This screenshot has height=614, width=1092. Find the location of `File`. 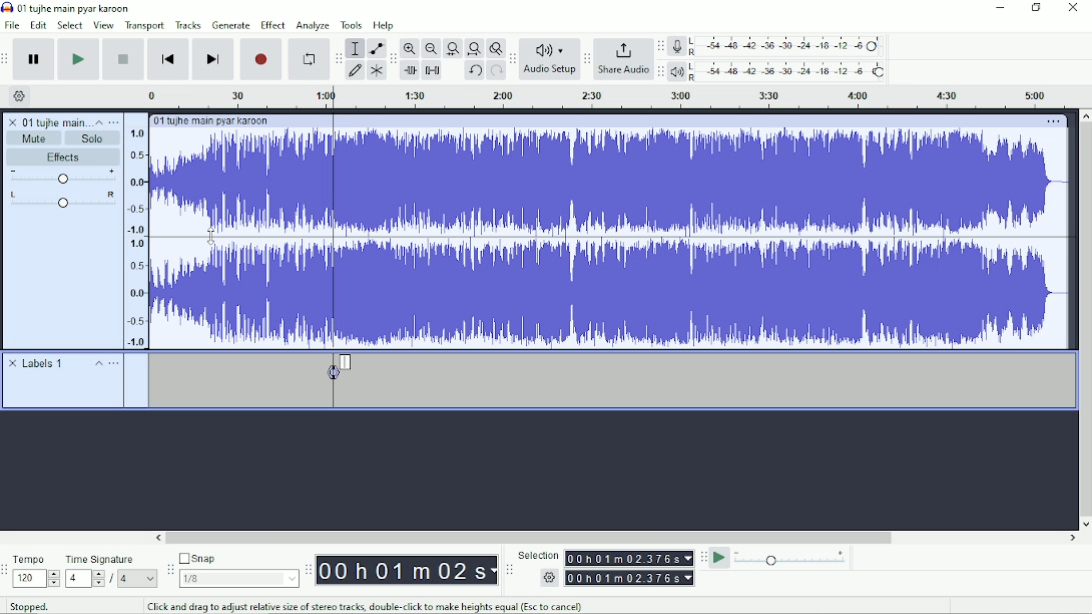

File is located at coordinates (11, 25).